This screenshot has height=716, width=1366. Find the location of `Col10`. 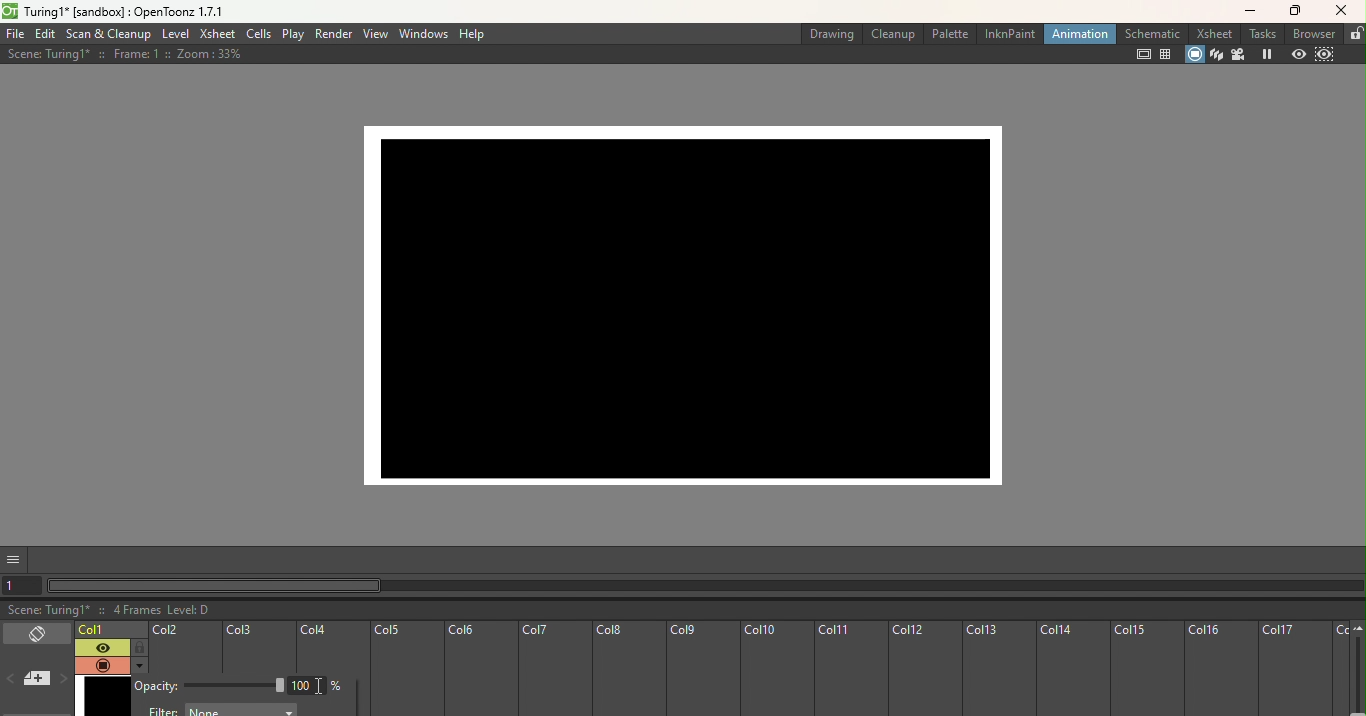

Col10 is located at coordinates (775, 670).